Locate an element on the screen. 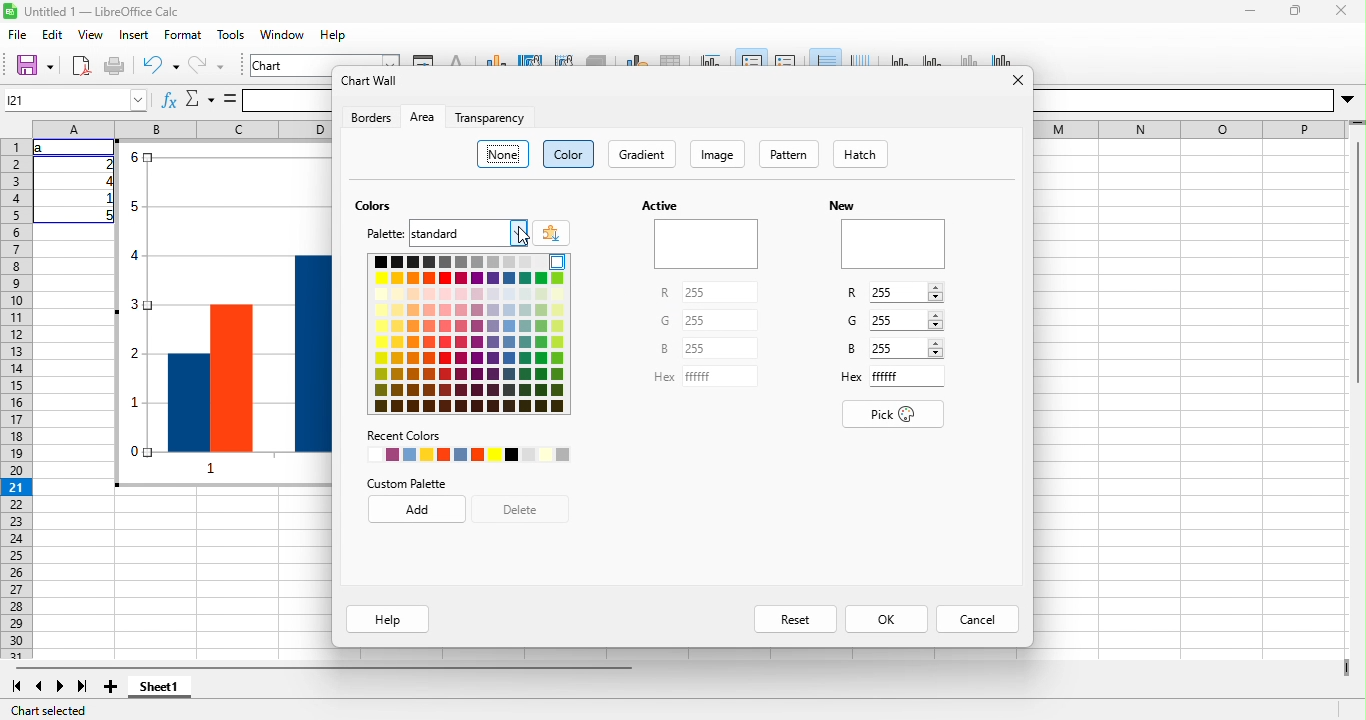 This screenshot has height=720, width=1366. print is located at coordinates (114, 66).